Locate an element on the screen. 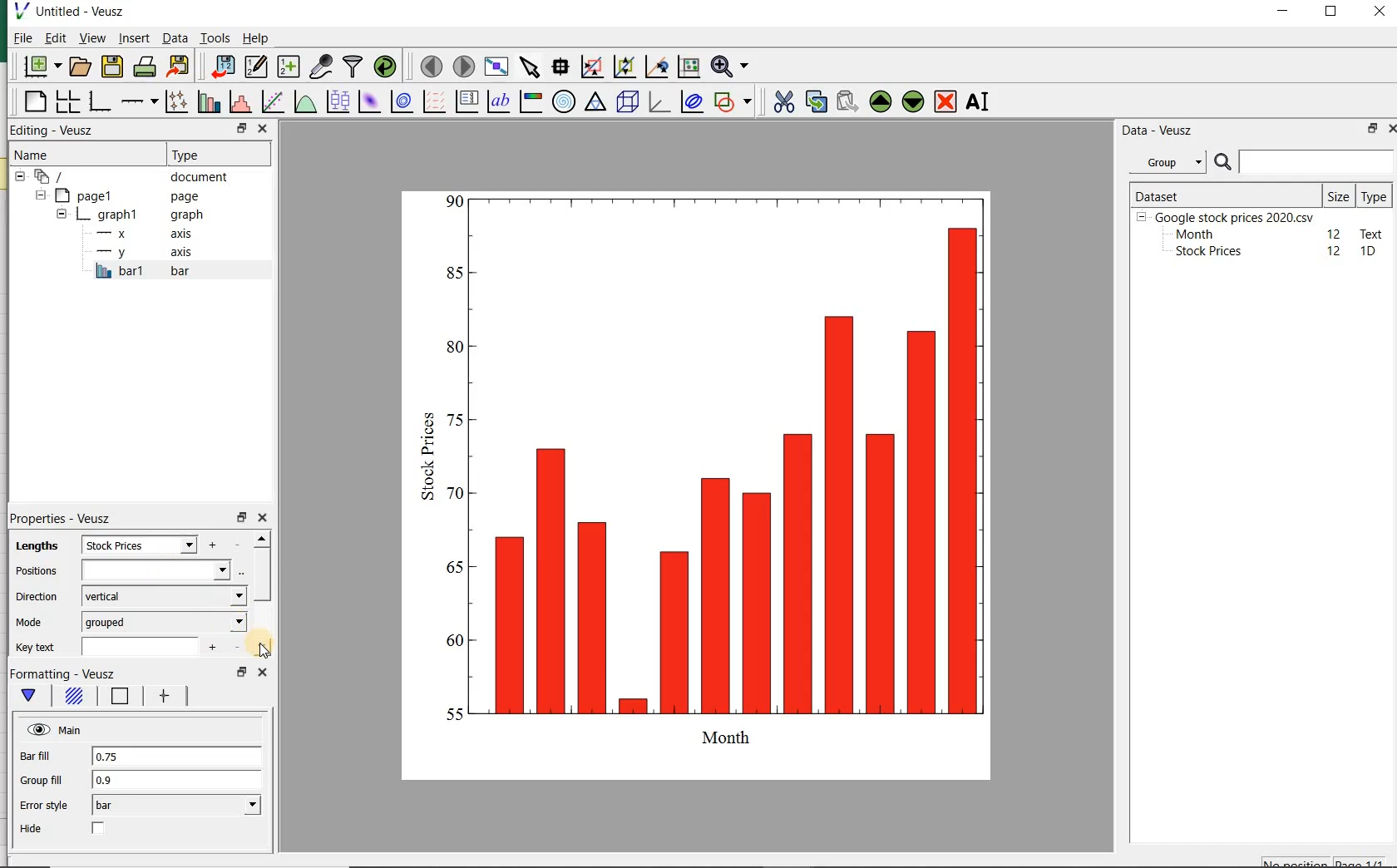  create new datasets is located at coordinates (289, 67).